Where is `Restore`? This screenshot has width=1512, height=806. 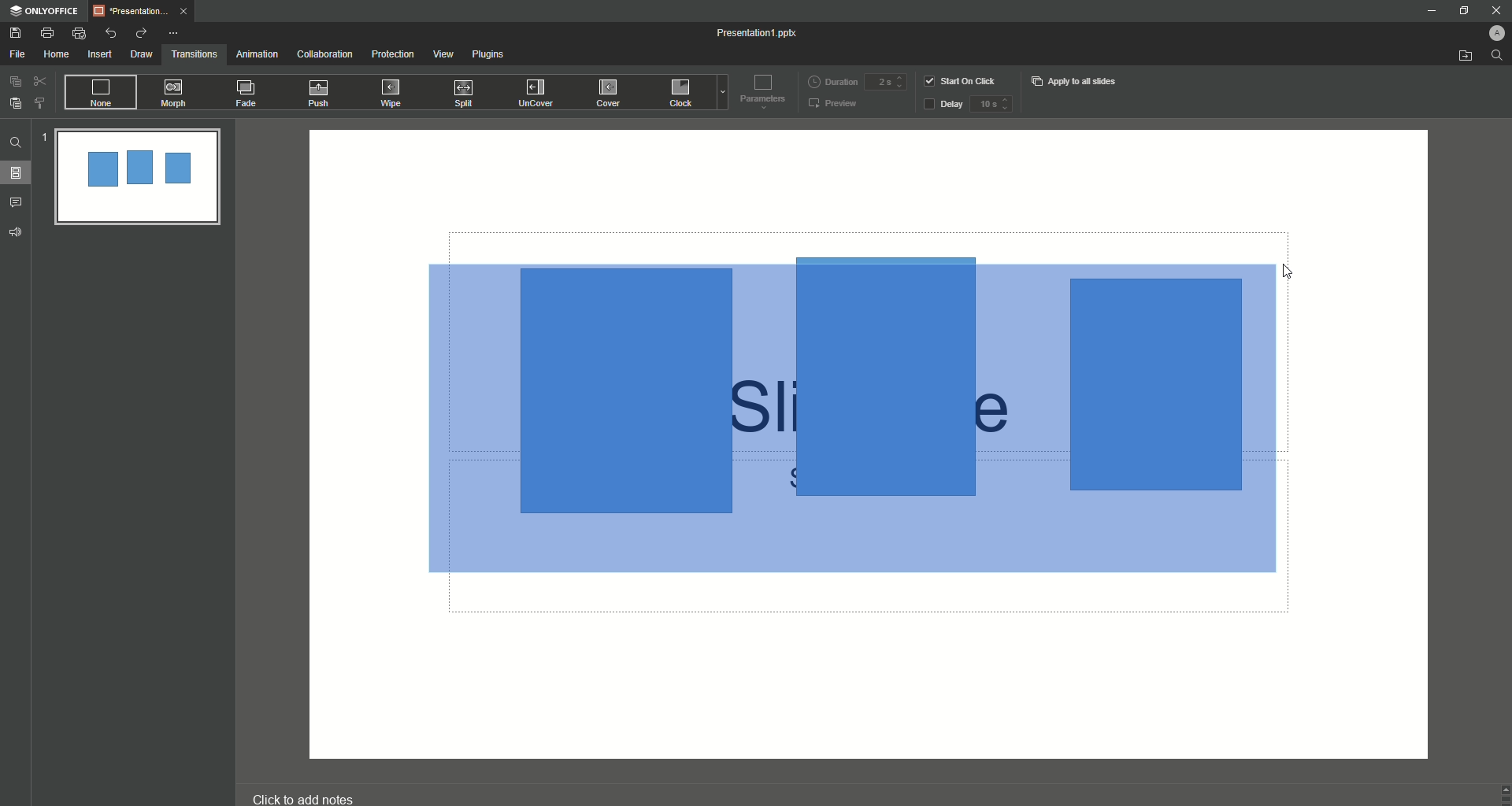
Restore is located at coordinates (1460, 11).